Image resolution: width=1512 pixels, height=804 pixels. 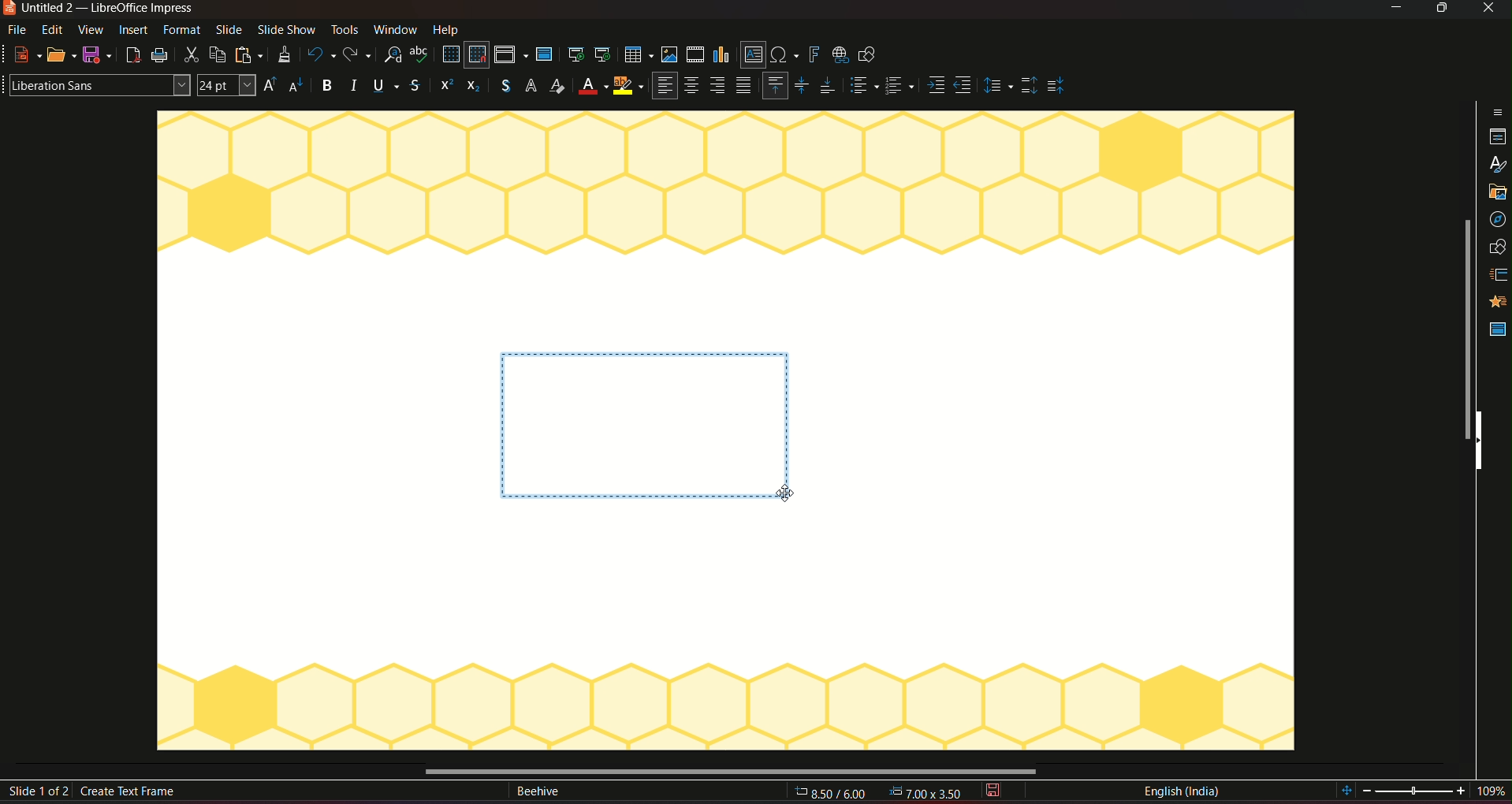 I want to click on font stylre, so click(x=96, y=84).